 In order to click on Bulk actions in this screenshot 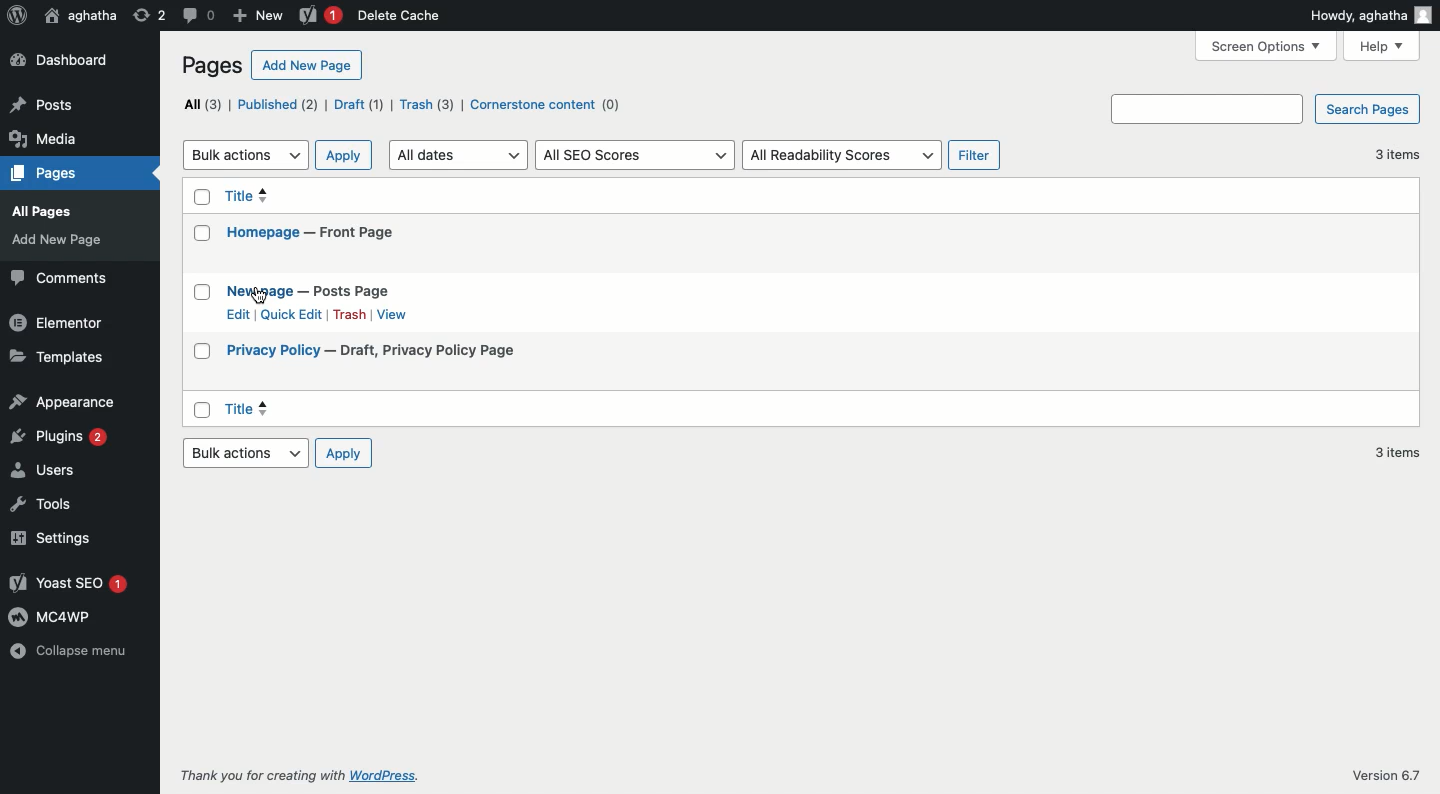, I will do `click(245, 155)`.